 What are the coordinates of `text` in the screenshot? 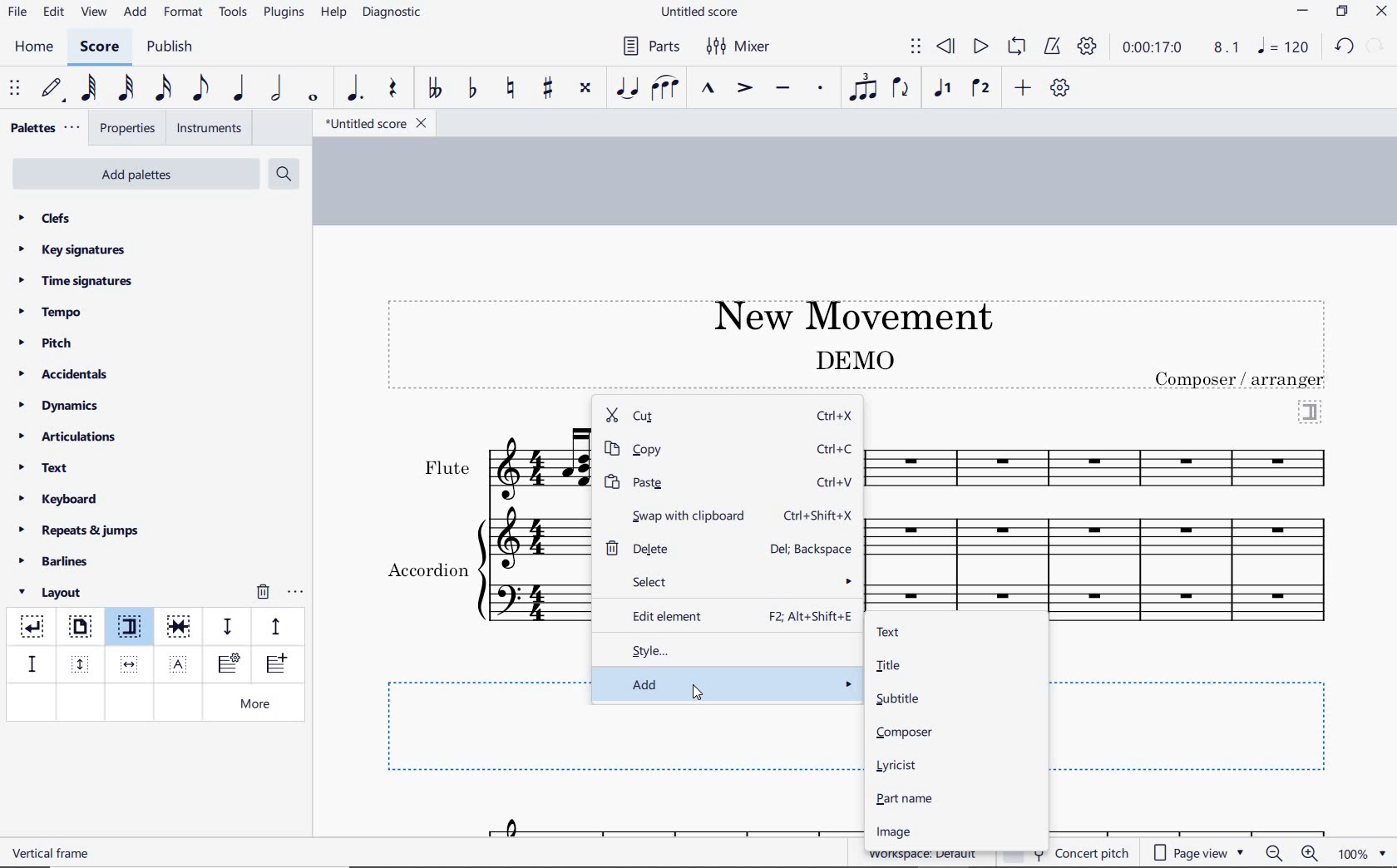 It's located at (53, 852).